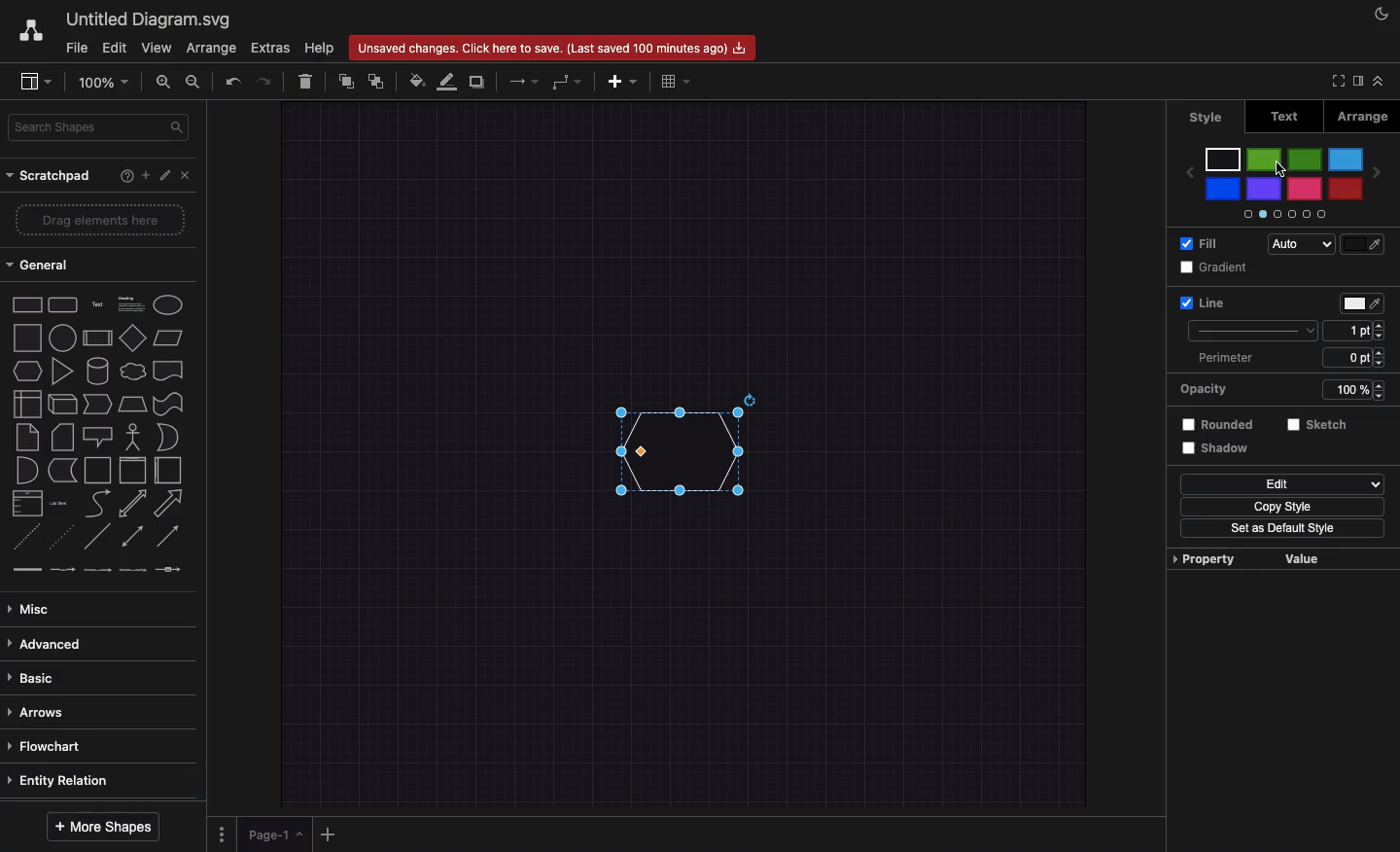 Image resolution: width=1400 pixels, height=852 pixels. What do you see at coordinates (30, 34) in the screenshot?
I see `Draw.io` at bounding box center [30, 34].